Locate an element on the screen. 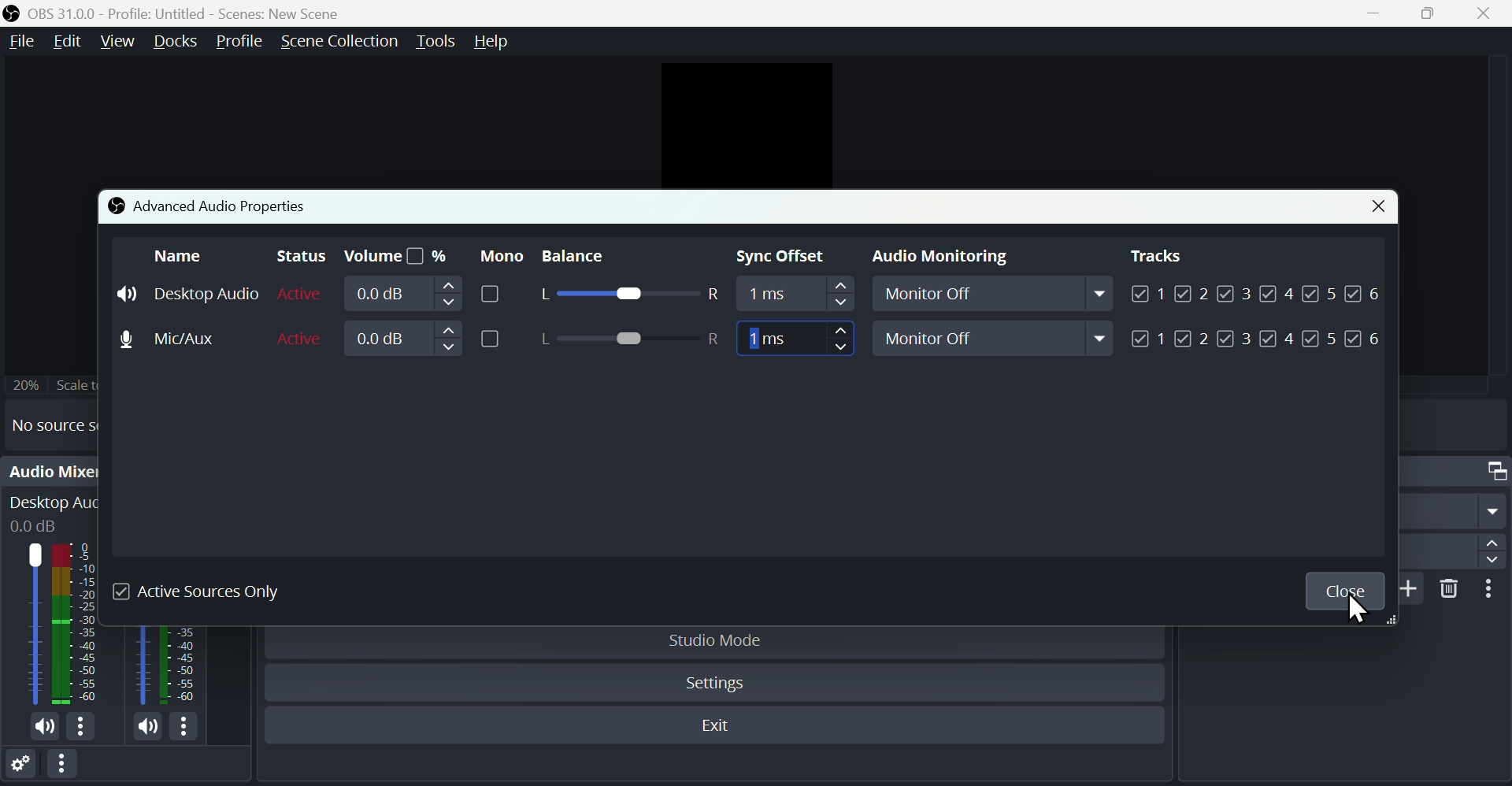 Image resolution: width=1512 pixels, height=786 pixels. (un)check Track 3 is located at coordinates (1235, 292).